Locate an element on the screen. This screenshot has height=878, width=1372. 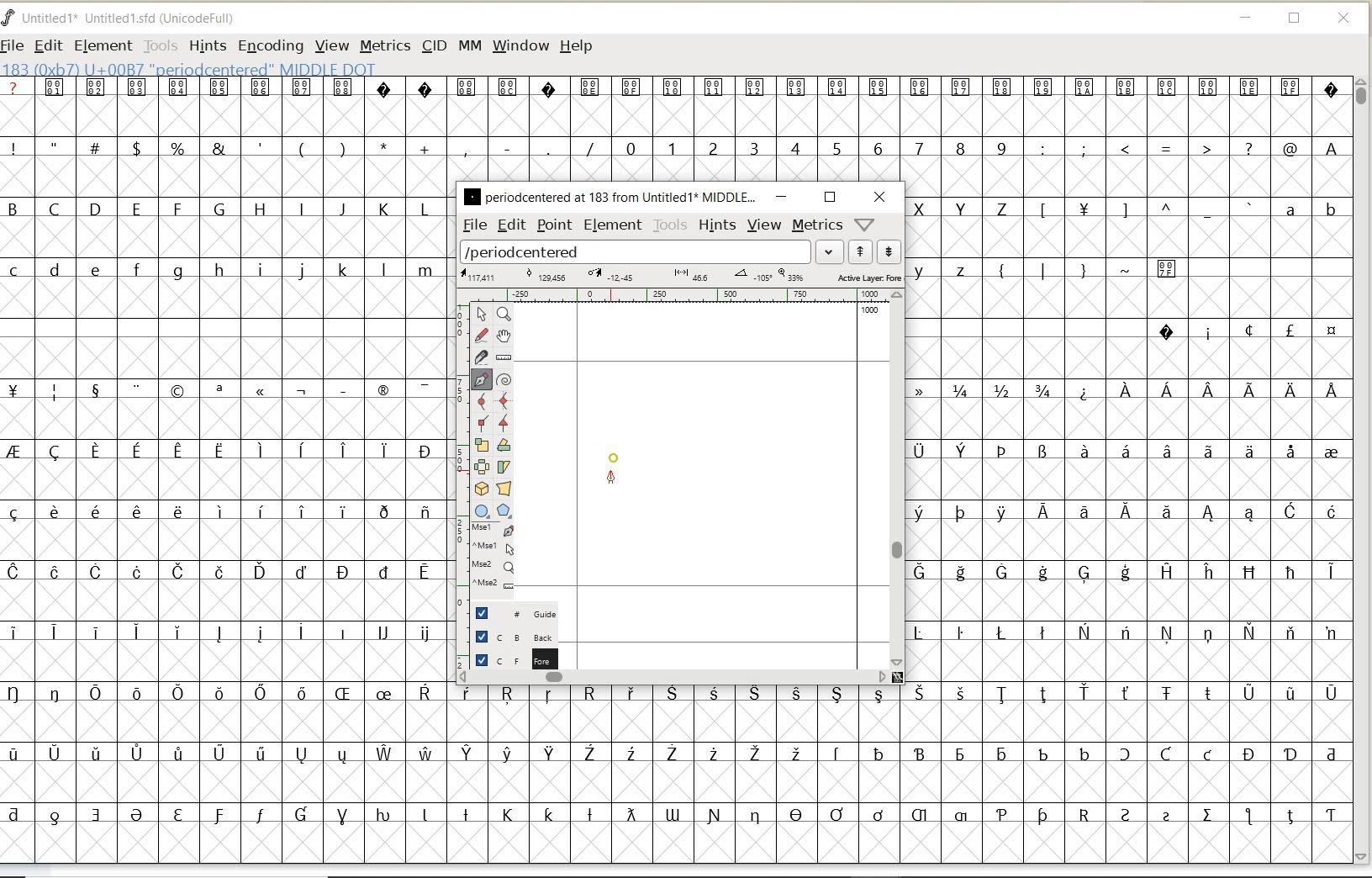
Magnify is located at coordinates (504, 315).